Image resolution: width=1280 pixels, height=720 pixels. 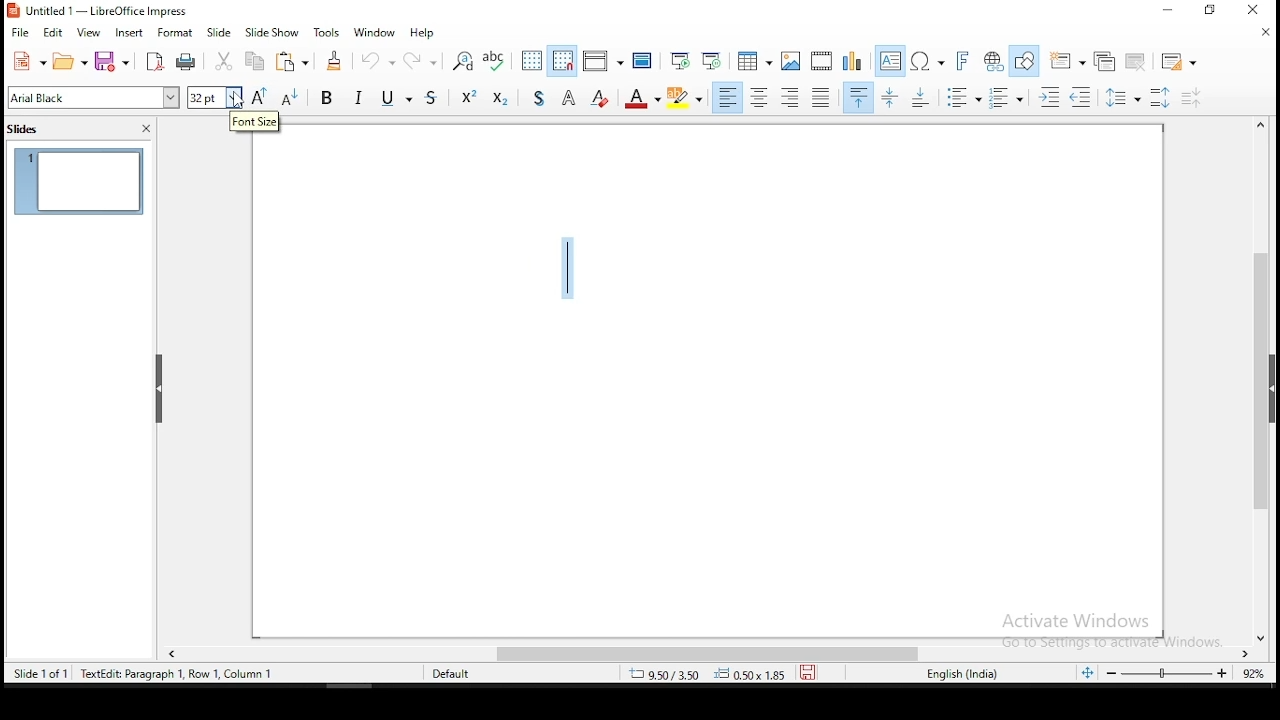 I want to click on Arial Black, so click(x=95, y=98).